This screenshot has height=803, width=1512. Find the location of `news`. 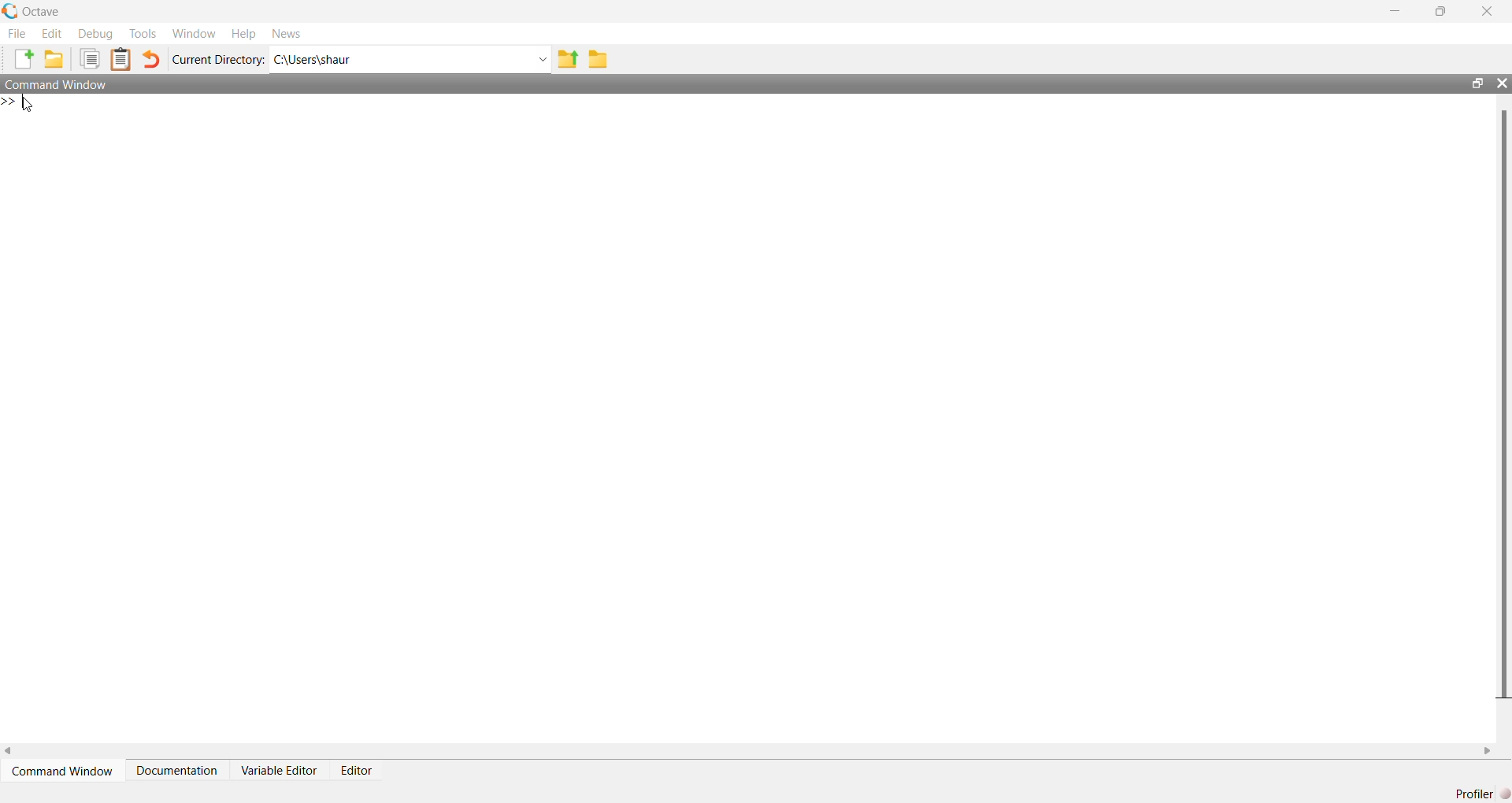

news is located at coordinates (287, 33).